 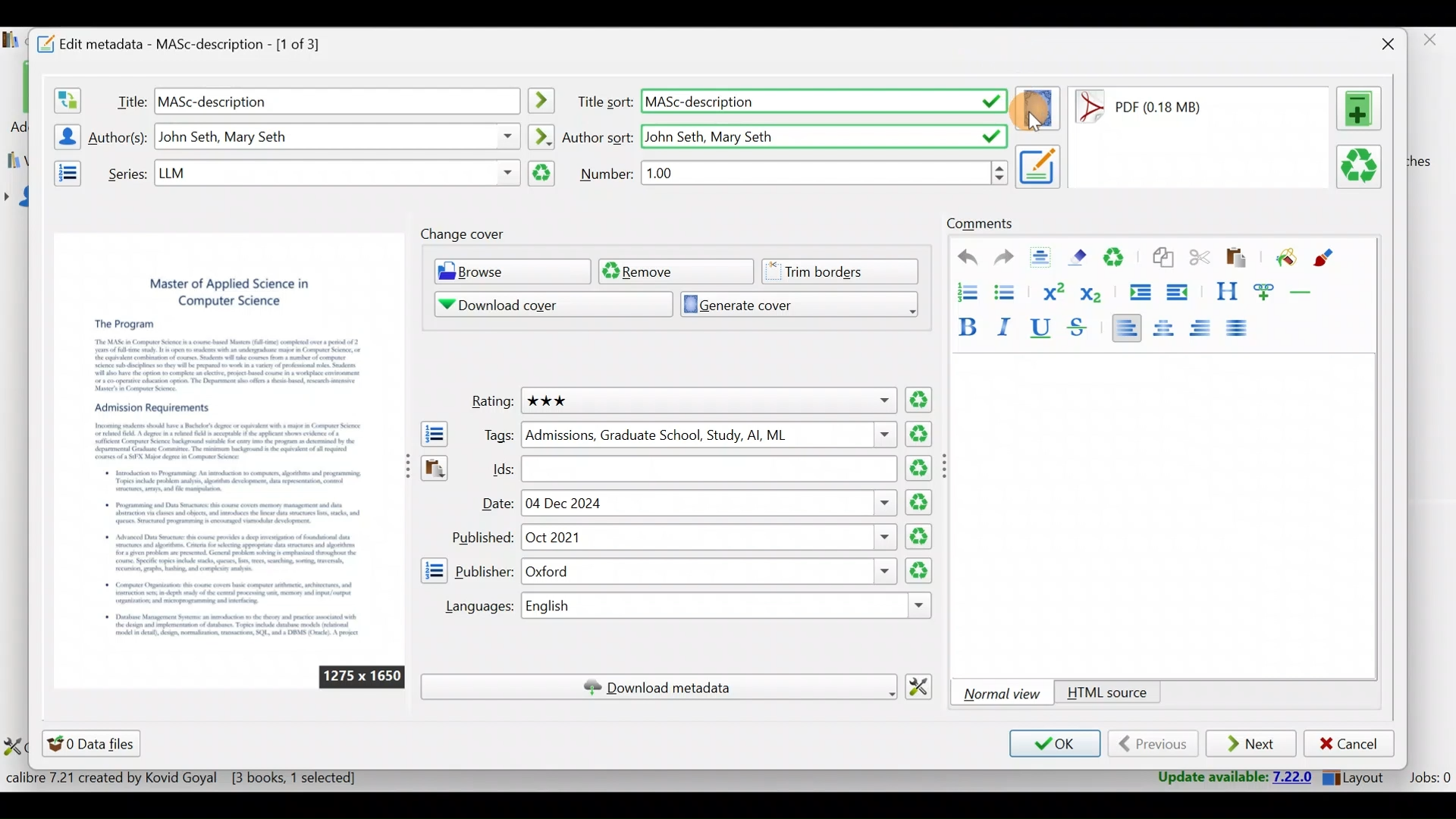 I want to click on , so click(x=710, y=469).